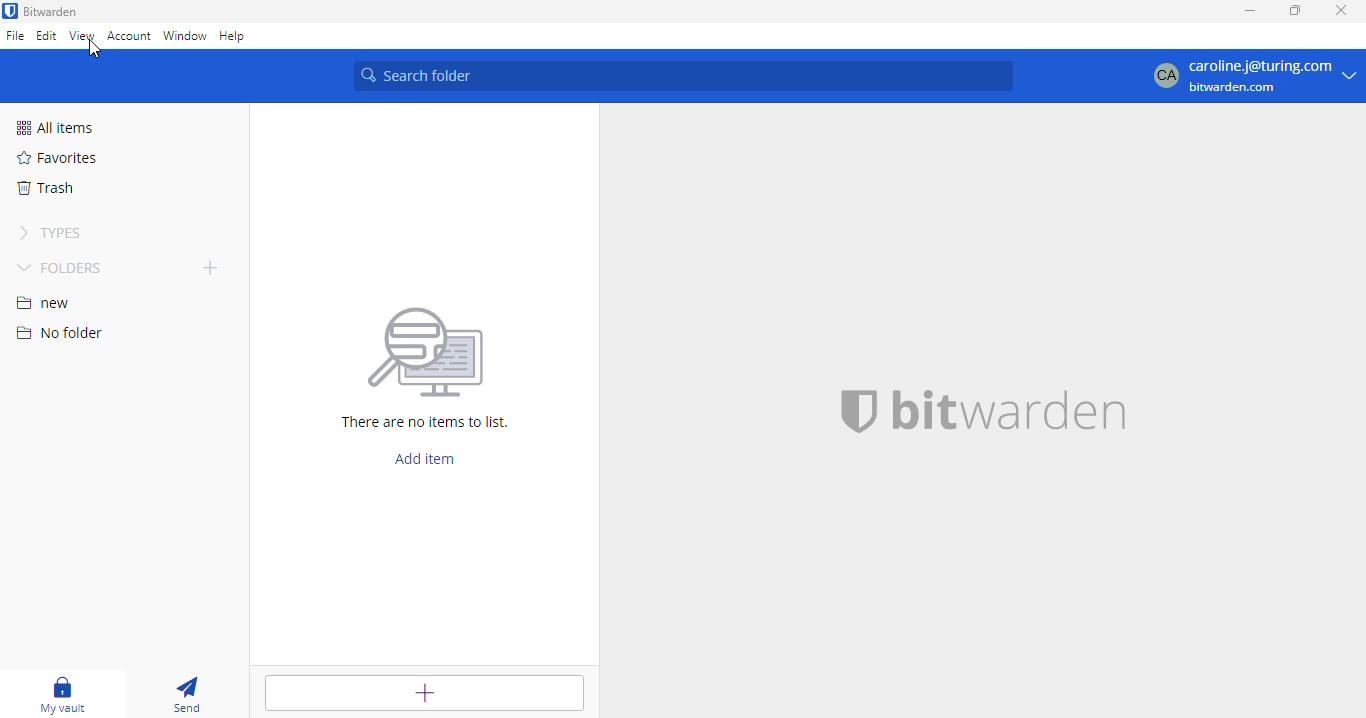 This screenshot has width=1366, height=718. I want to click on view, so click(82, 35).